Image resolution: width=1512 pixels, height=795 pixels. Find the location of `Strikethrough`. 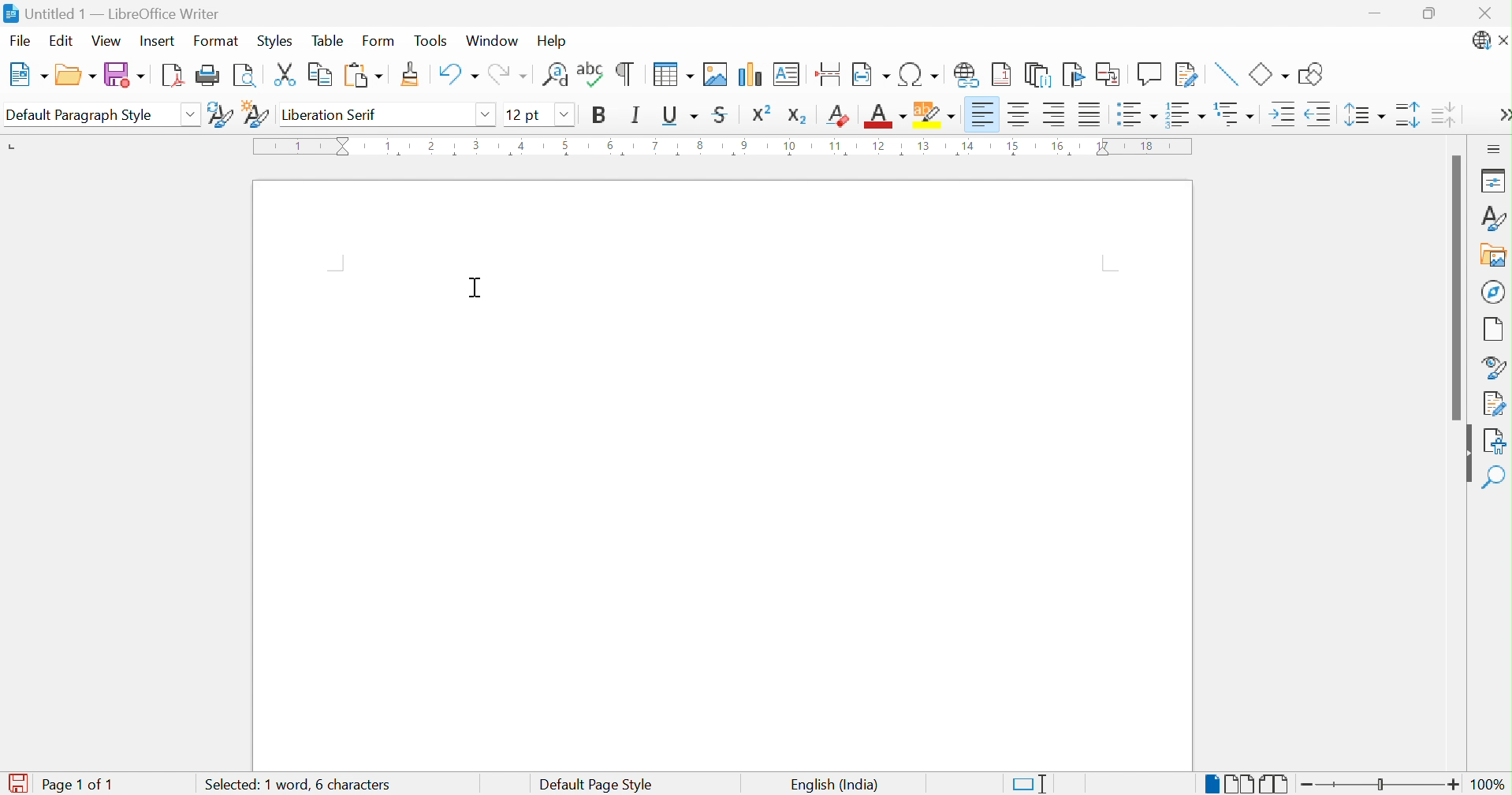

Strikethrough is located at coordinates (721, 117).